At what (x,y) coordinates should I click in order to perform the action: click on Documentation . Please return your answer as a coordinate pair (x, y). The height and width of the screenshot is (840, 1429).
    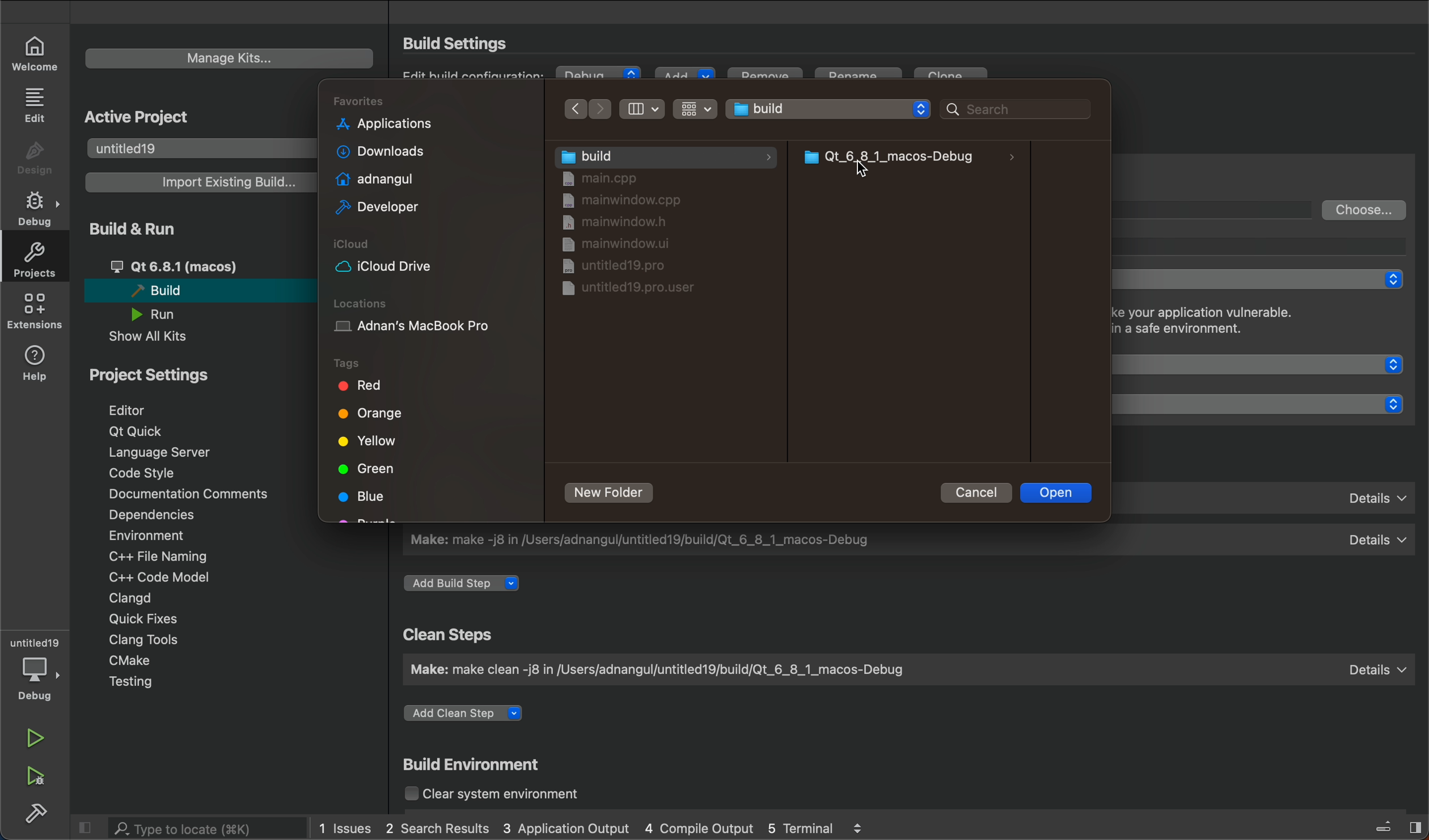
    Looking at the image, I should click on (185, 494).